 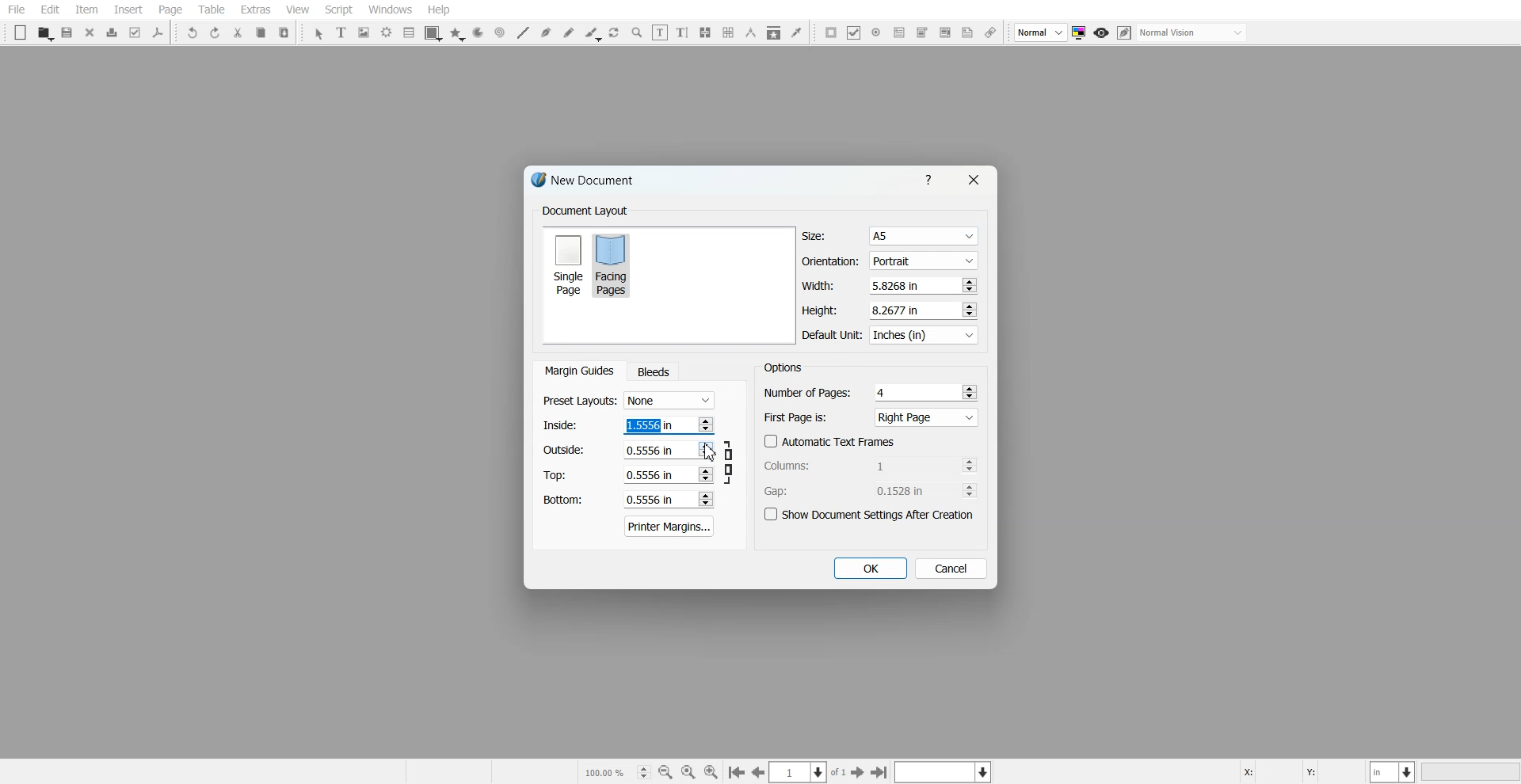 What do you see at coordinates (628, 474) in the screenshot?
I see `Top margin adjuster` at bounding box center [628, 474].